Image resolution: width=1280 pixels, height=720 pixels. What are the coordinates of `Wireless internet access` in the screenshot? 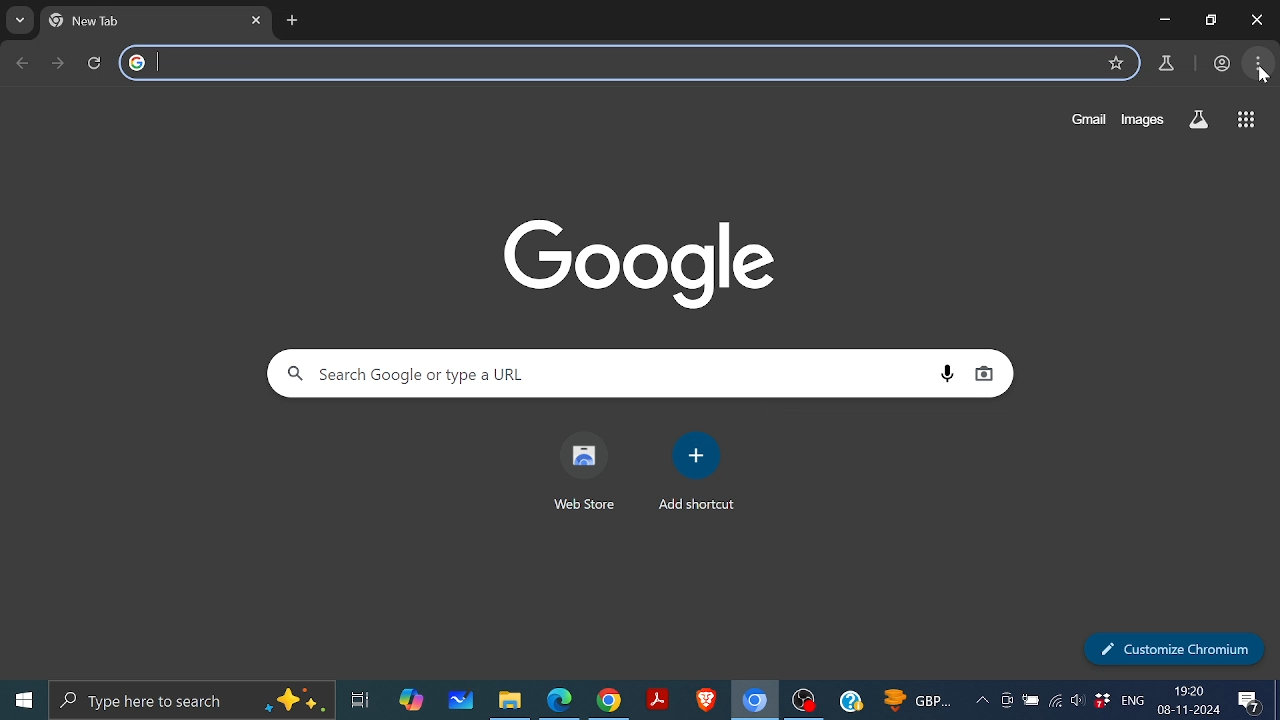 It's located at (1056, 704).